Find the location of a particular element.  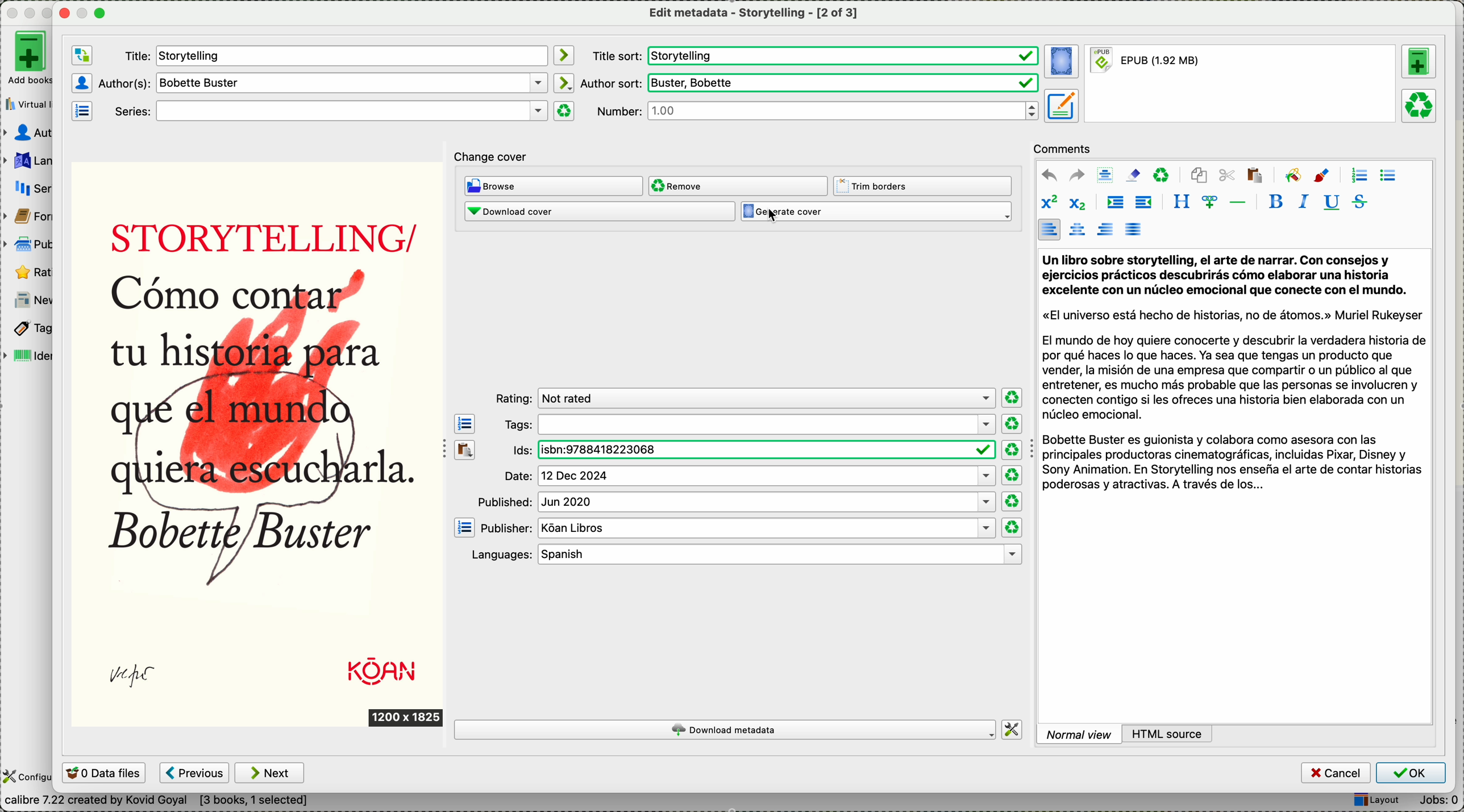

rating is located at coordinates (31, 271).